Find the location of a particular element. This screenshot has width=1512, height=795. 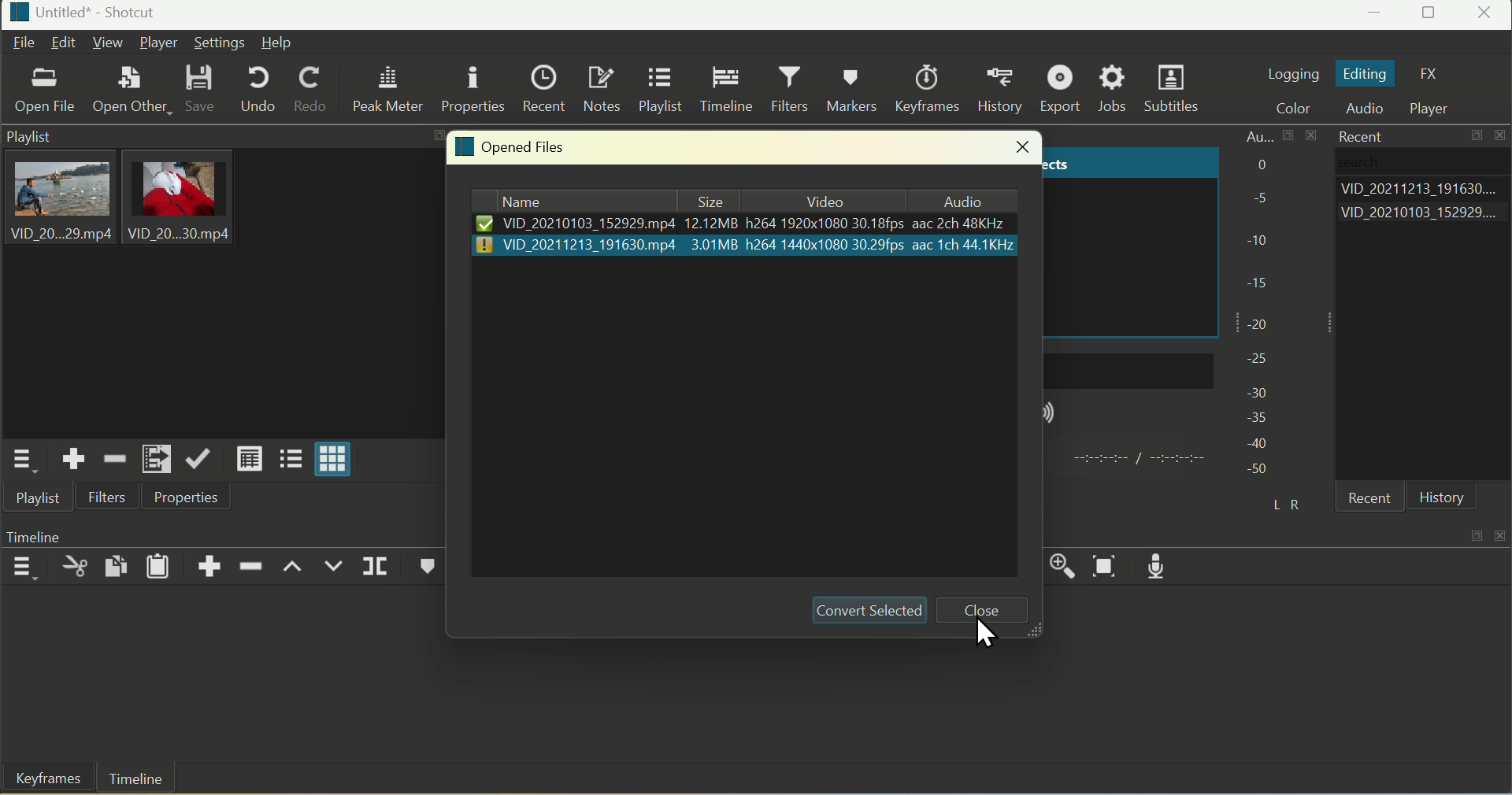

Timeline is located at coordinates (725, 90).